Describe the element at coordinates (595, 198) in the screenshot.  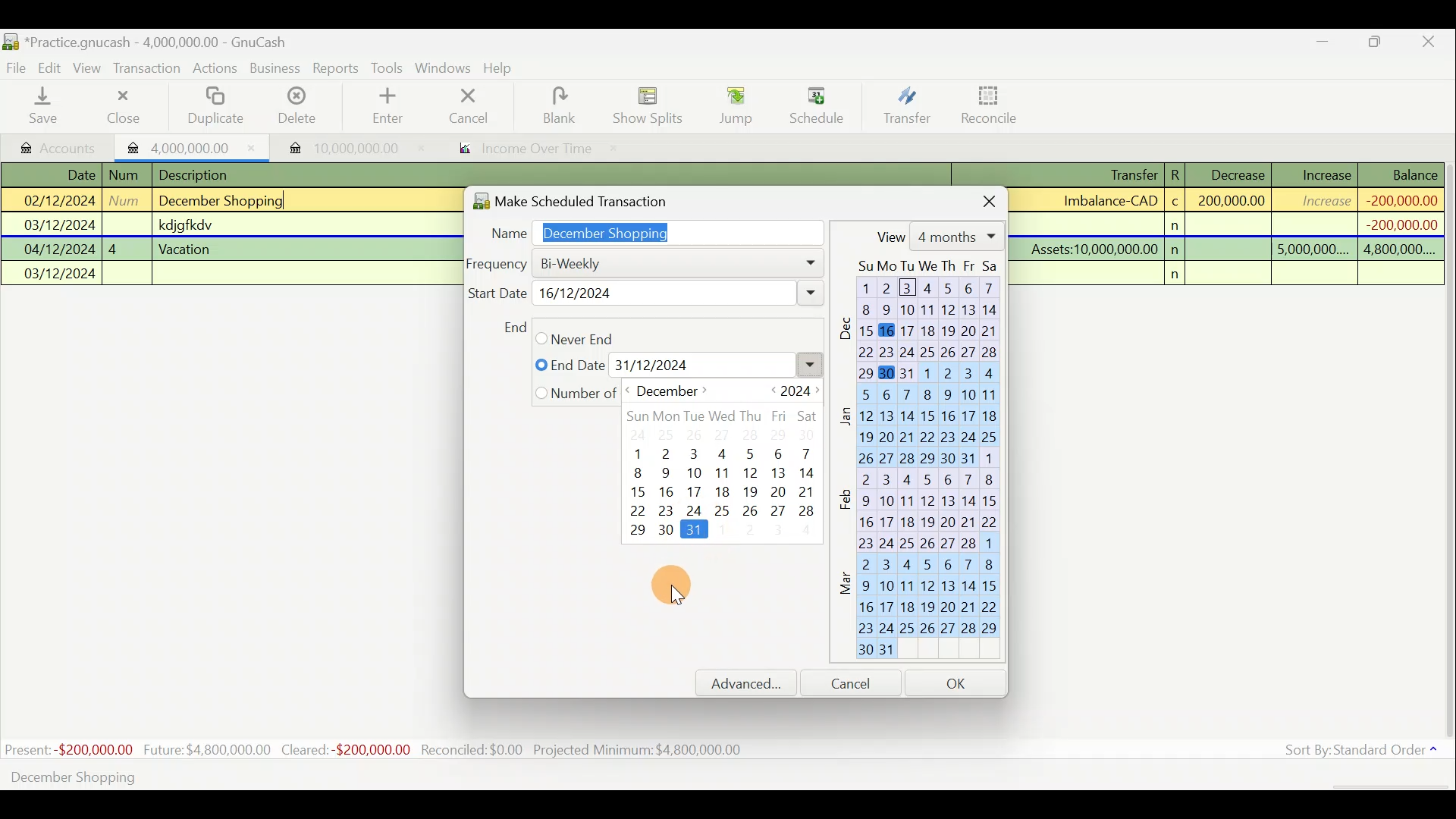
I see `Make scheduled transaction` at that location.